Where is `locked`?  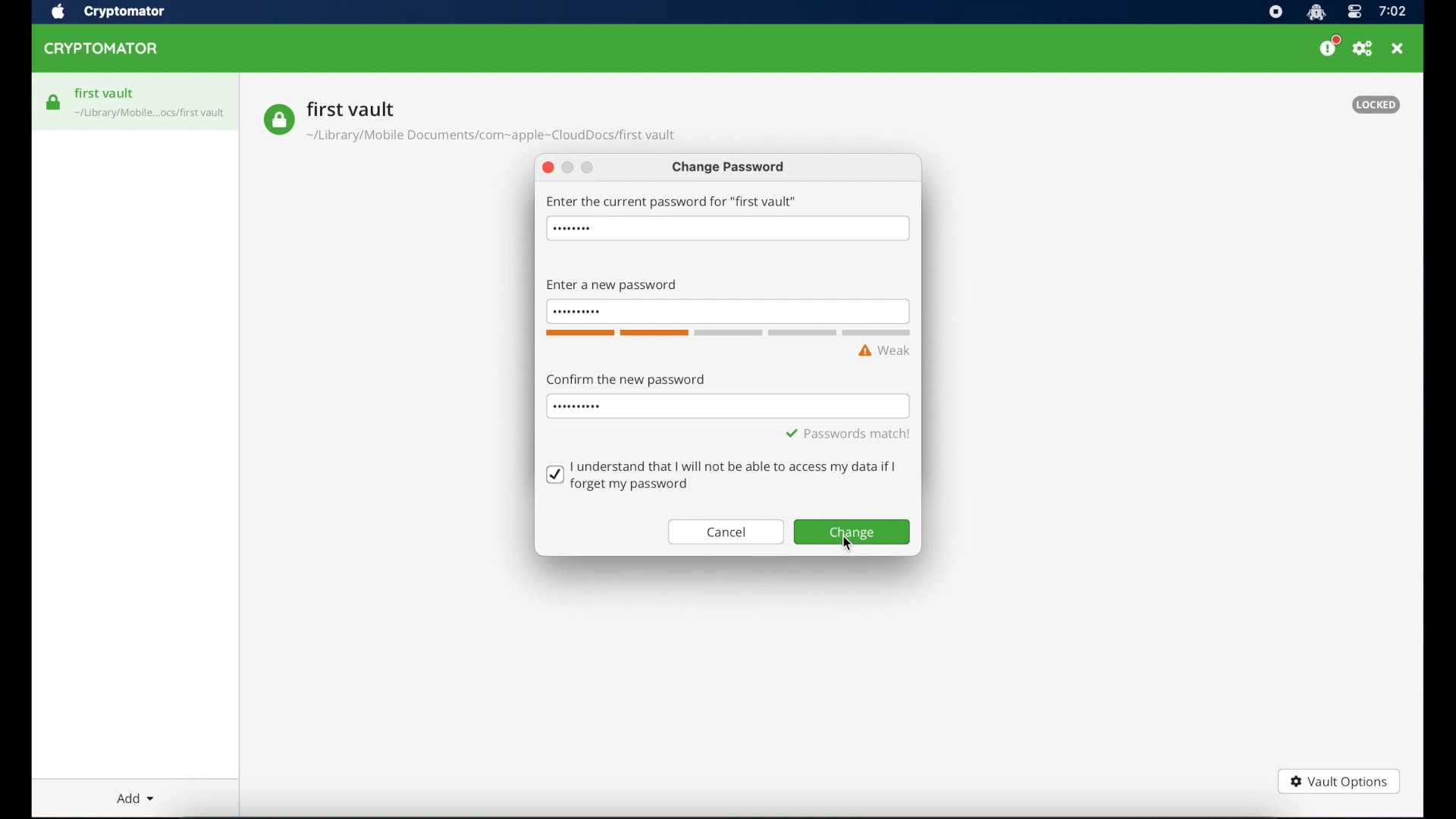 locked is located at coordinates (1376, 105).